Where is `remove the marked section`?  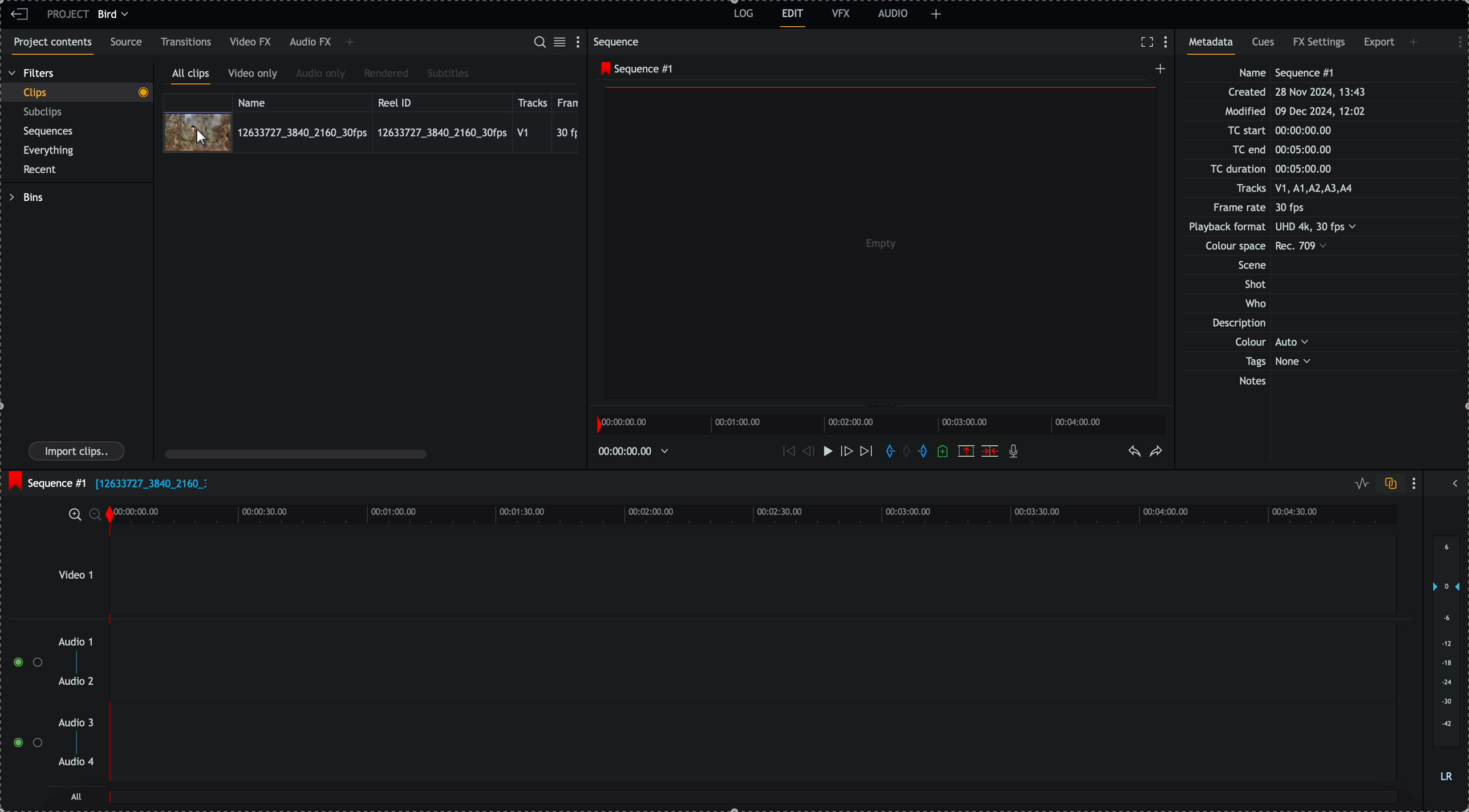
remove the marked section is located at coordinates (966, 450).